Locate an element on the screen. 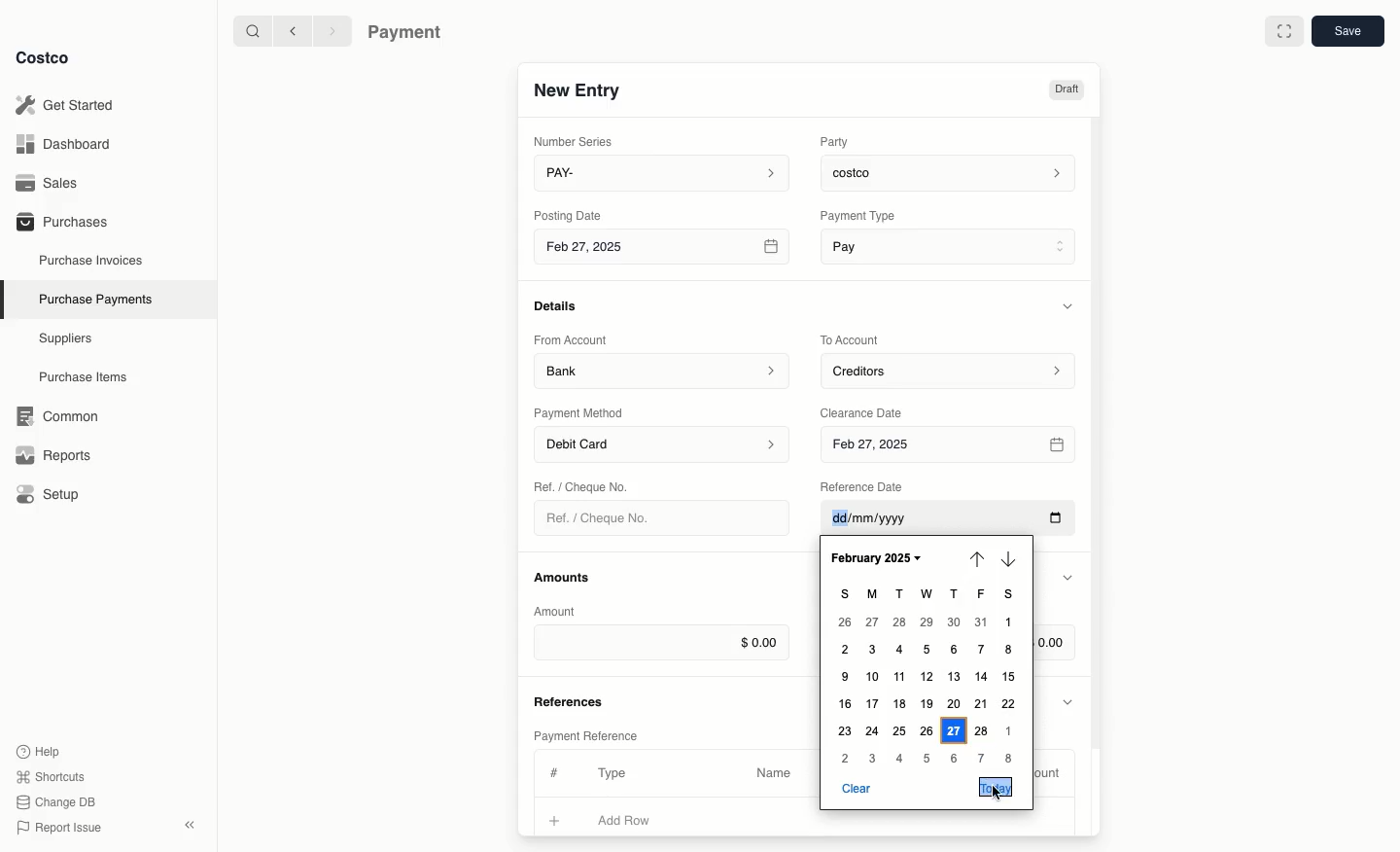 Image resolution: width=1400 pixels, height=852 pixels. References is located at coordinates (572, 699).